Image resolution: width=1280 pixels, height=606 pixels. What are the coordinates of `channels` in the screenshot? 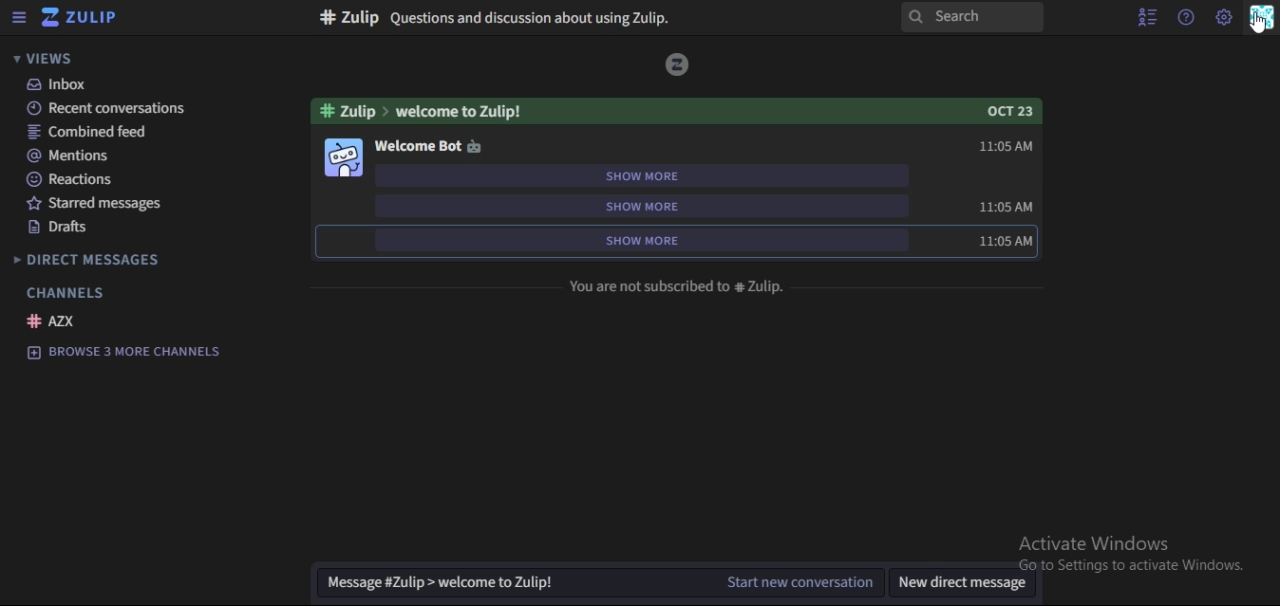 It's located at (62, 288).